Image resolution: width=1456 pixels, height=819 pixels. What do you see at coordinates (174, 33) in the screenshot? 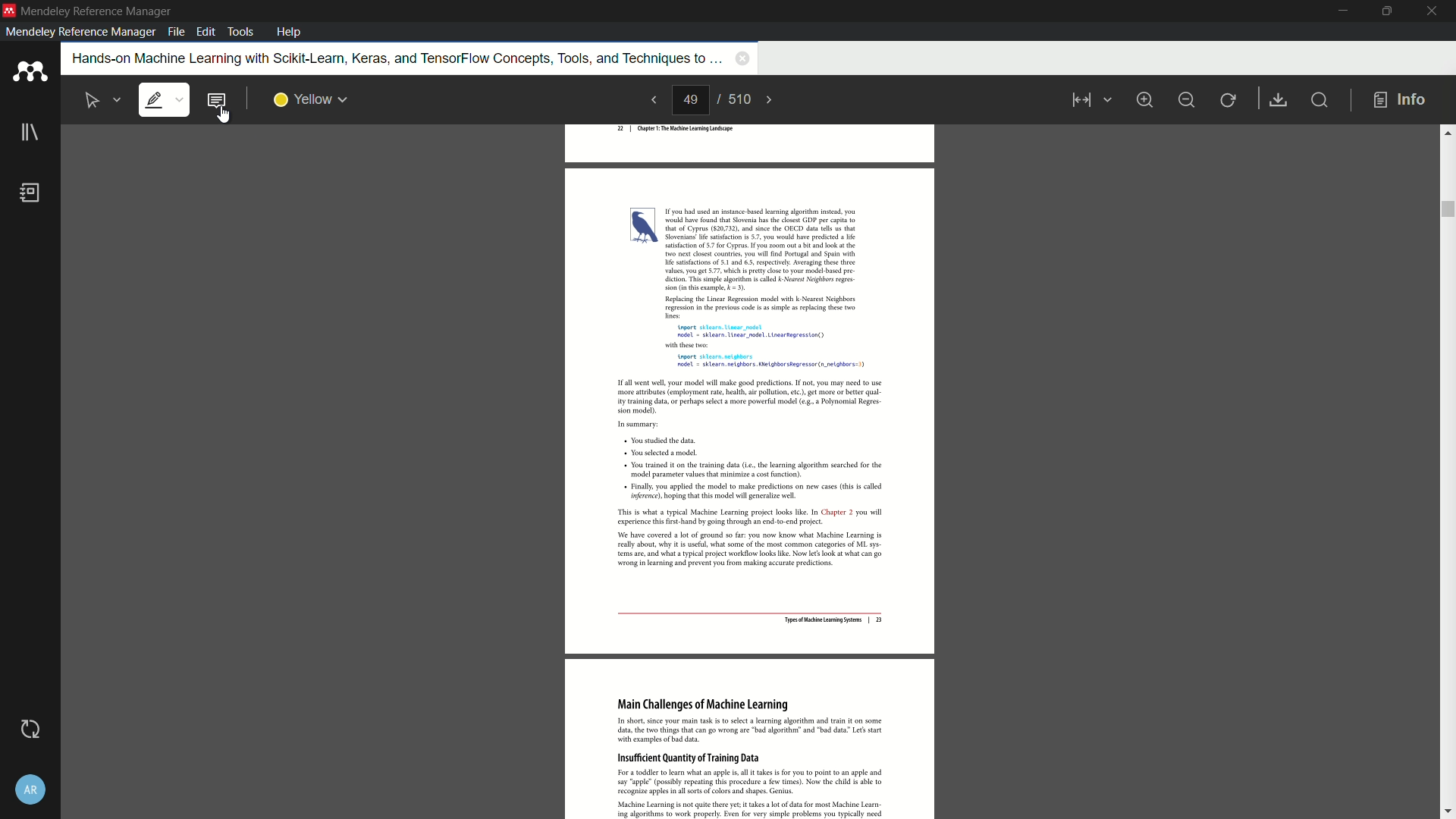
I see `file menu` at bounding box center [174, 33].